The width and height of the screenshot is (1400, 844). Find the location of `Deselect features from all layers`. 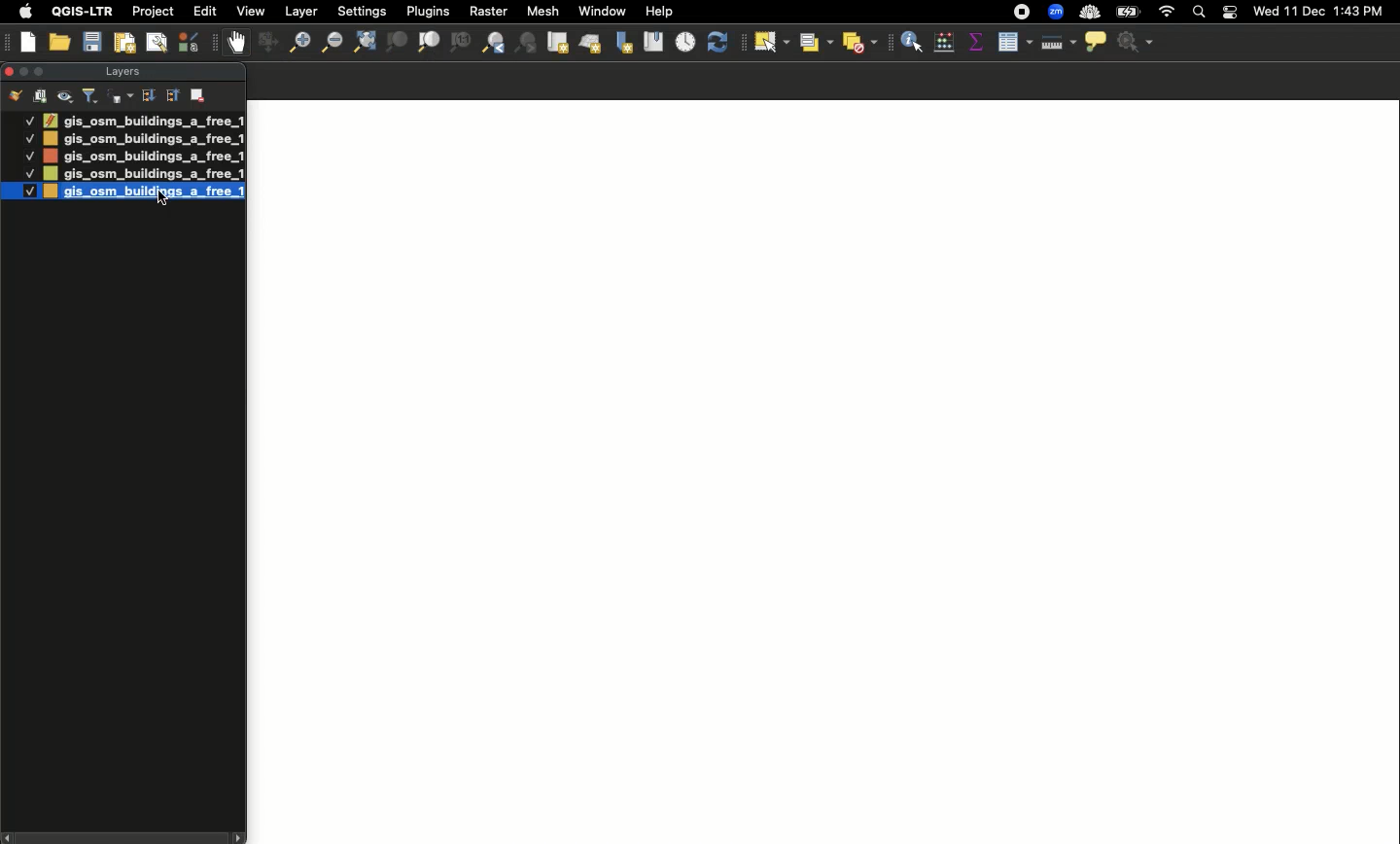

Deselect features from all layers is located at coordinates (861, 43).